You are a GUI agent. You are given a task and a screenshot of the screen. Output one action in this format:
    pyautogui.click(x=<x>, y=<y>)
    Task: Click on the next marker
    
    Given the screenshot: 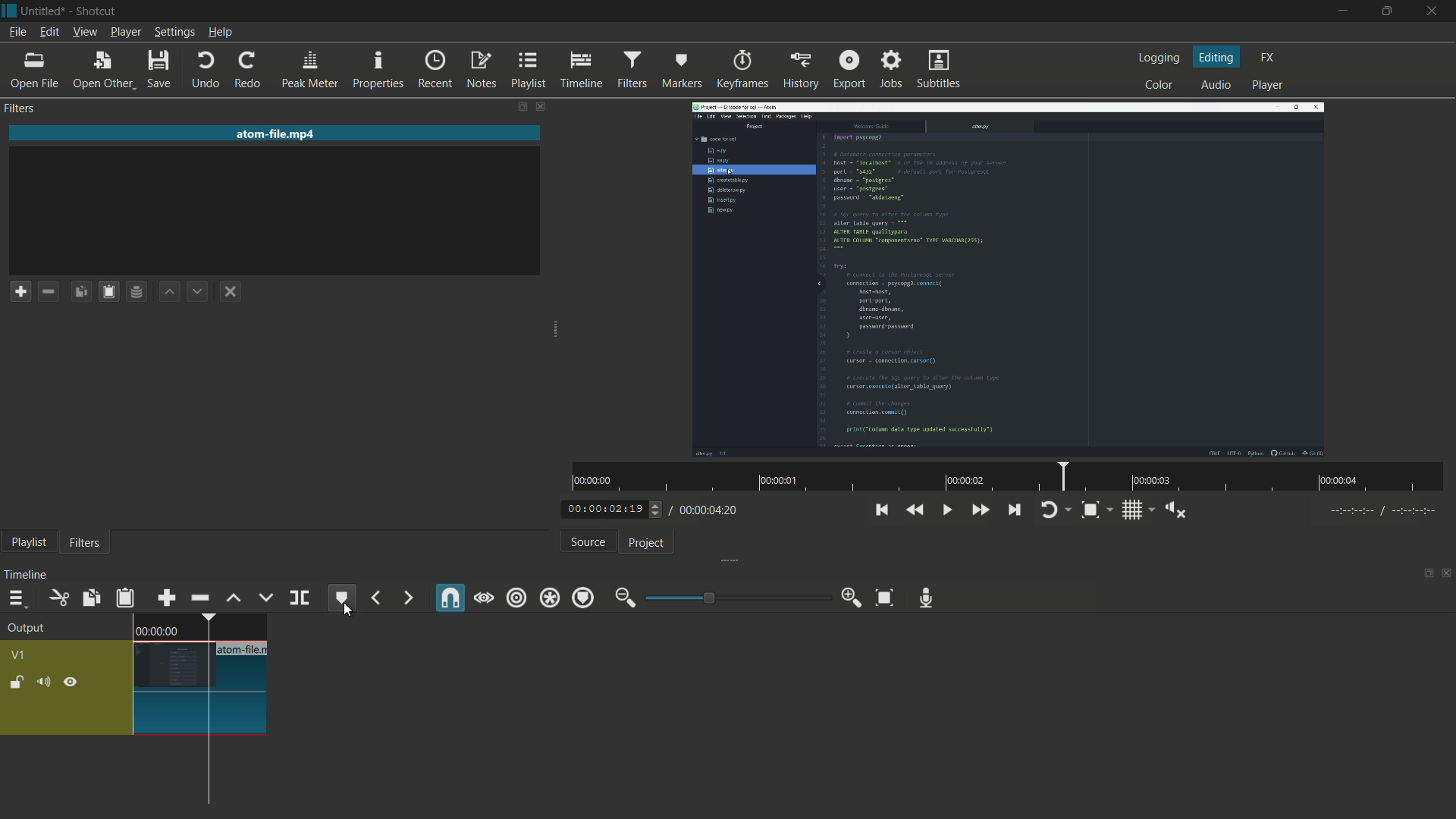 What is the action you would take?
    pyautogui.click(x=407, y=598)
    